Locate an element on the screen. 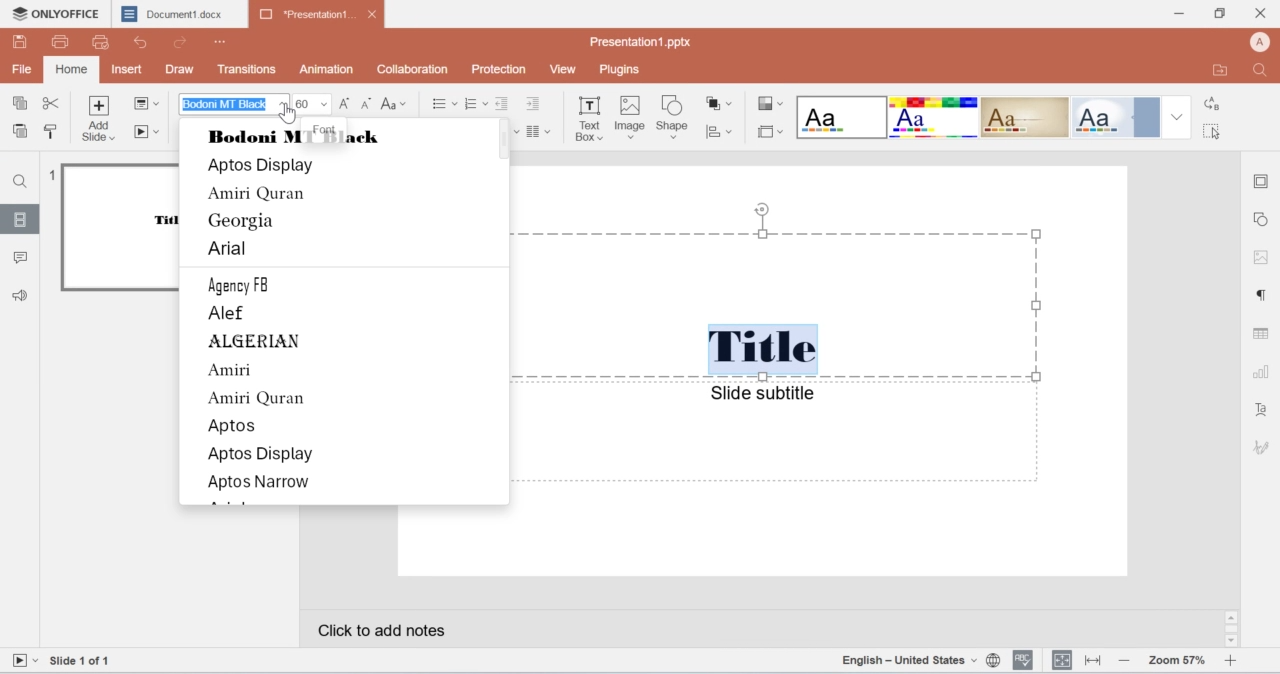 The height and width of the screenshot is (674, 1280). Menu is located at coordinates (222, 42).